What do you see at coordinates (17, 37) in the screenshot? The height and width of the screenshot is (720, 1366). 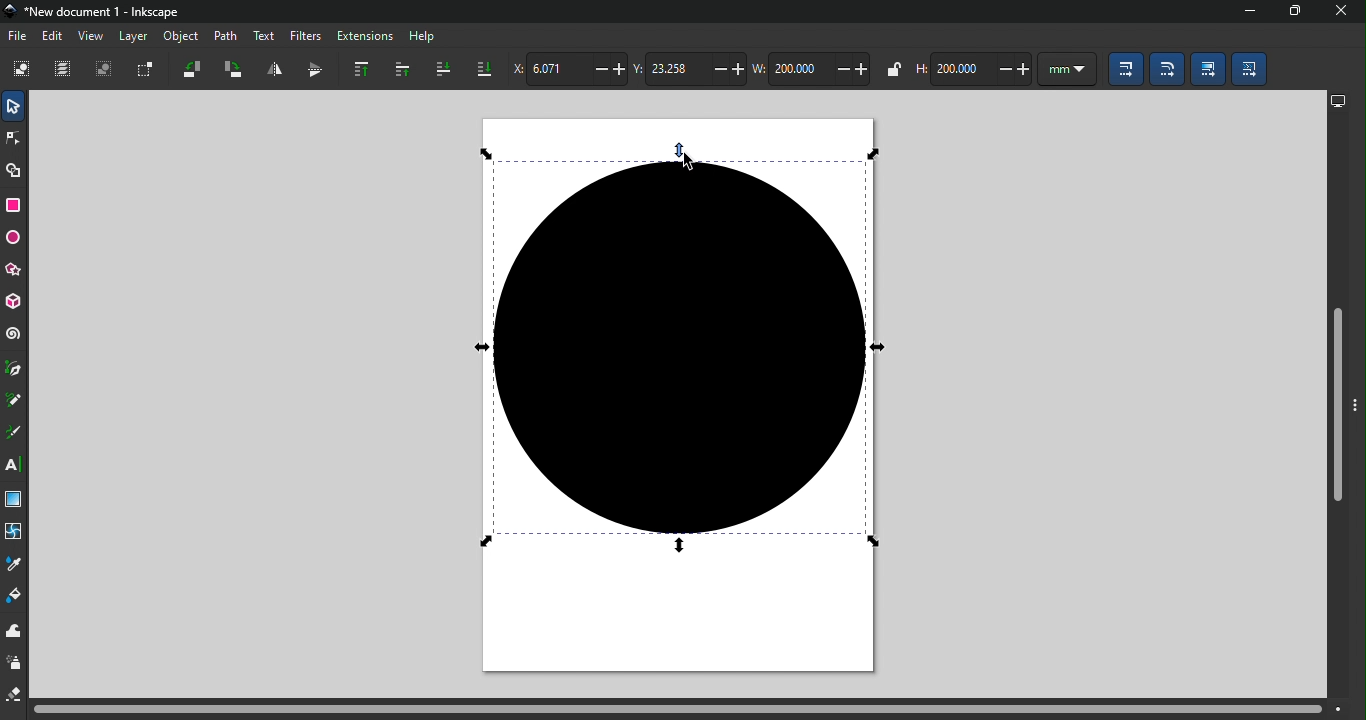 I see `File` at bounding box center [17, 37].